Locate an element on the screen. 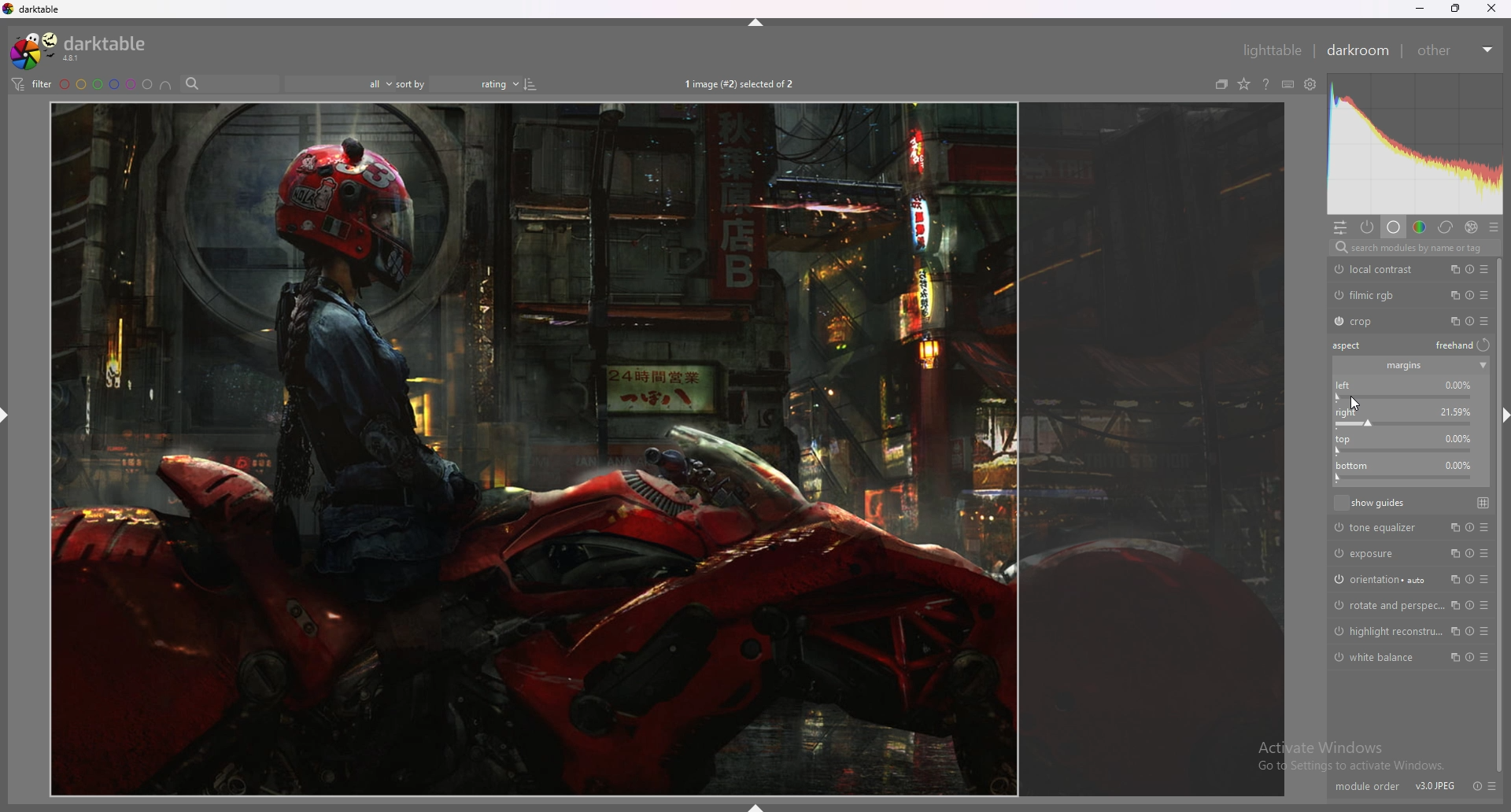  orientation is located at coordinates (1380, 578).